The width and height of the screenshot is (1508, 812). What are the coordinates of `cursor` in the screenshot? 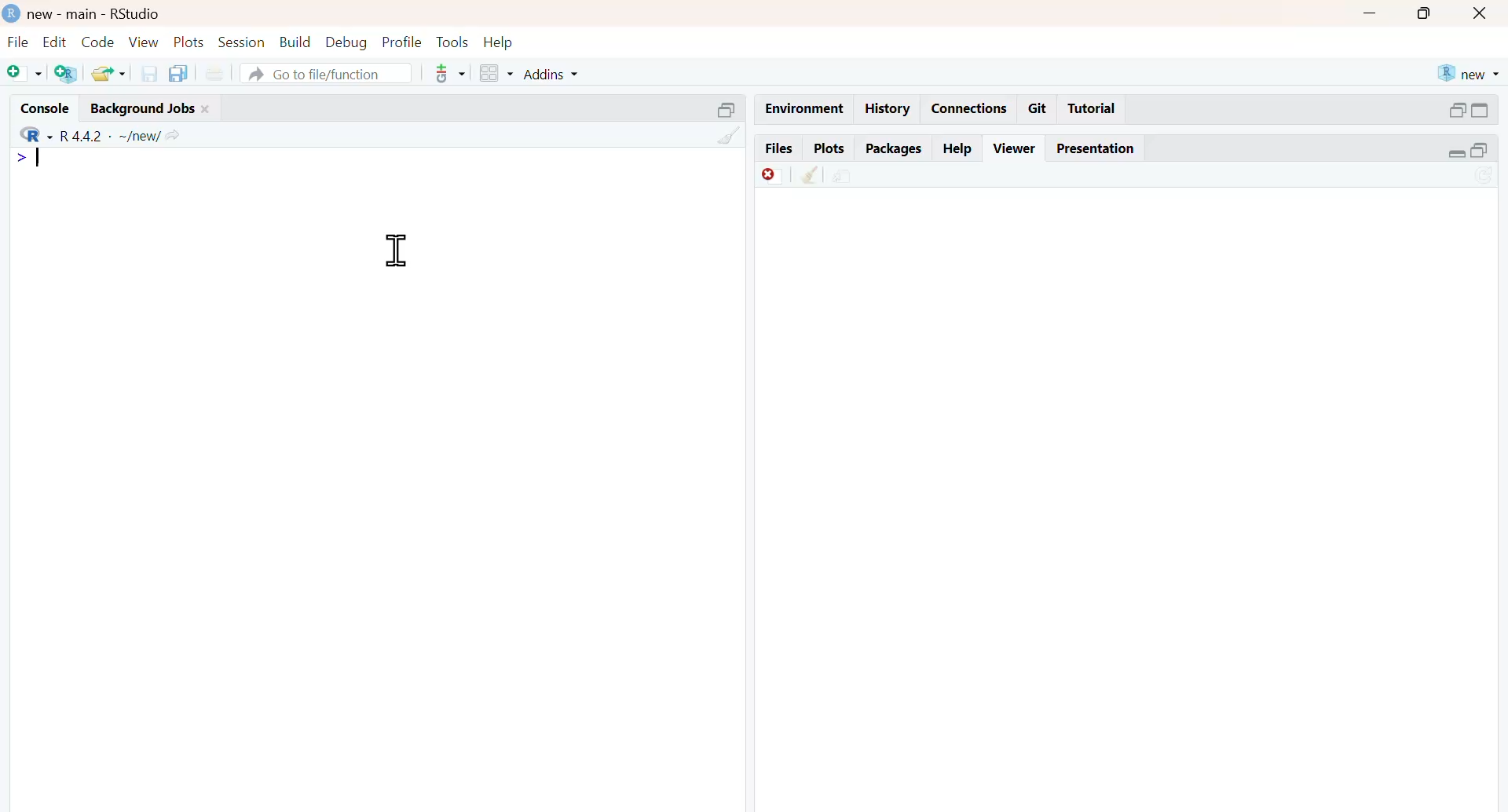 It's located at (397, 251).